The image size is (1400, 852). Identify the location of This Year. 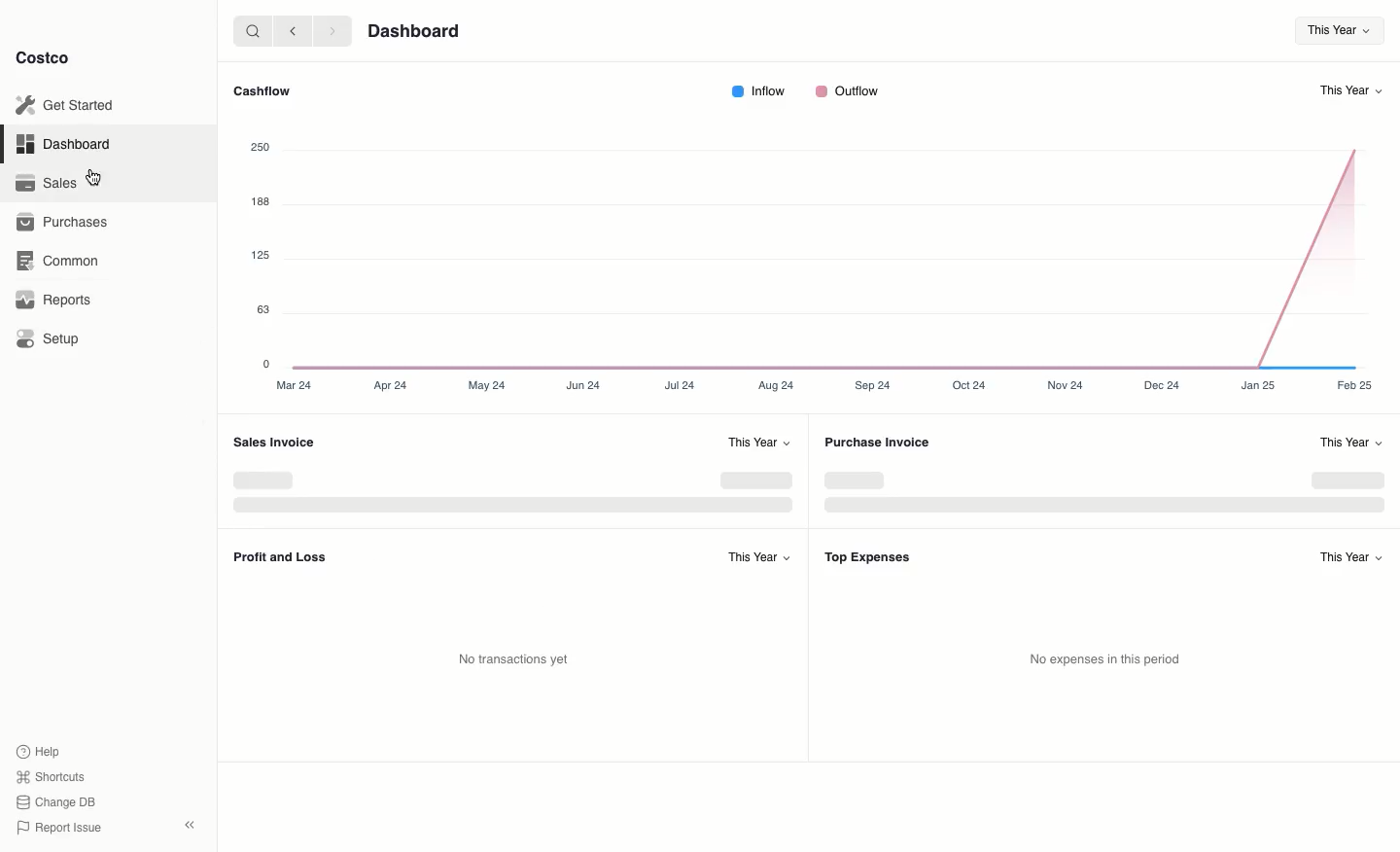
(1351, 555).